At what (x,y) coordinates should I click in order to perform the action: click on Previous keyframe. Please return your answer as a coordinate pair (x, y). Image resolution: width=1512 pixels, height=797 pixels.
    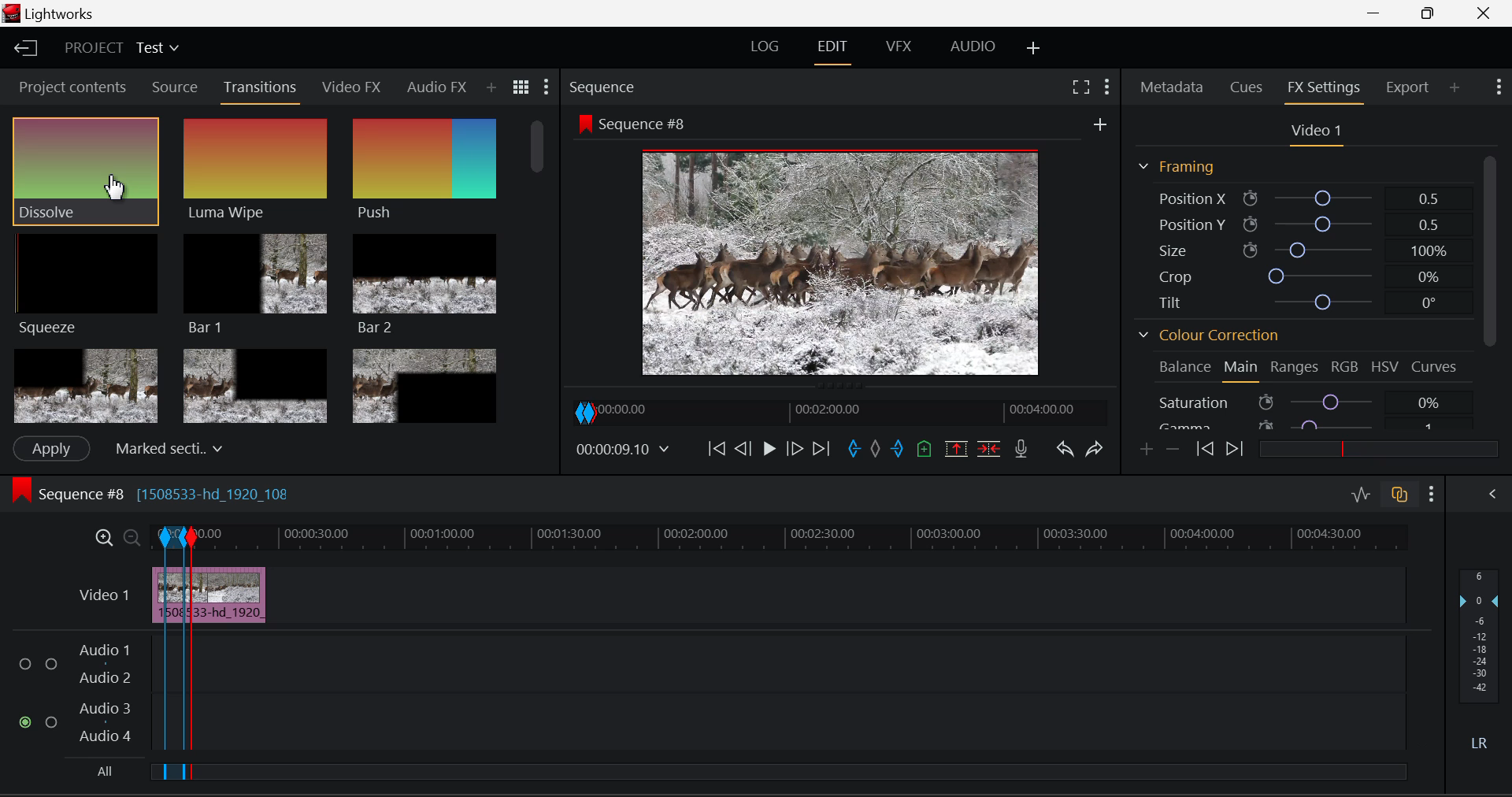
    Looking at the image, I should click on (1204, 449).